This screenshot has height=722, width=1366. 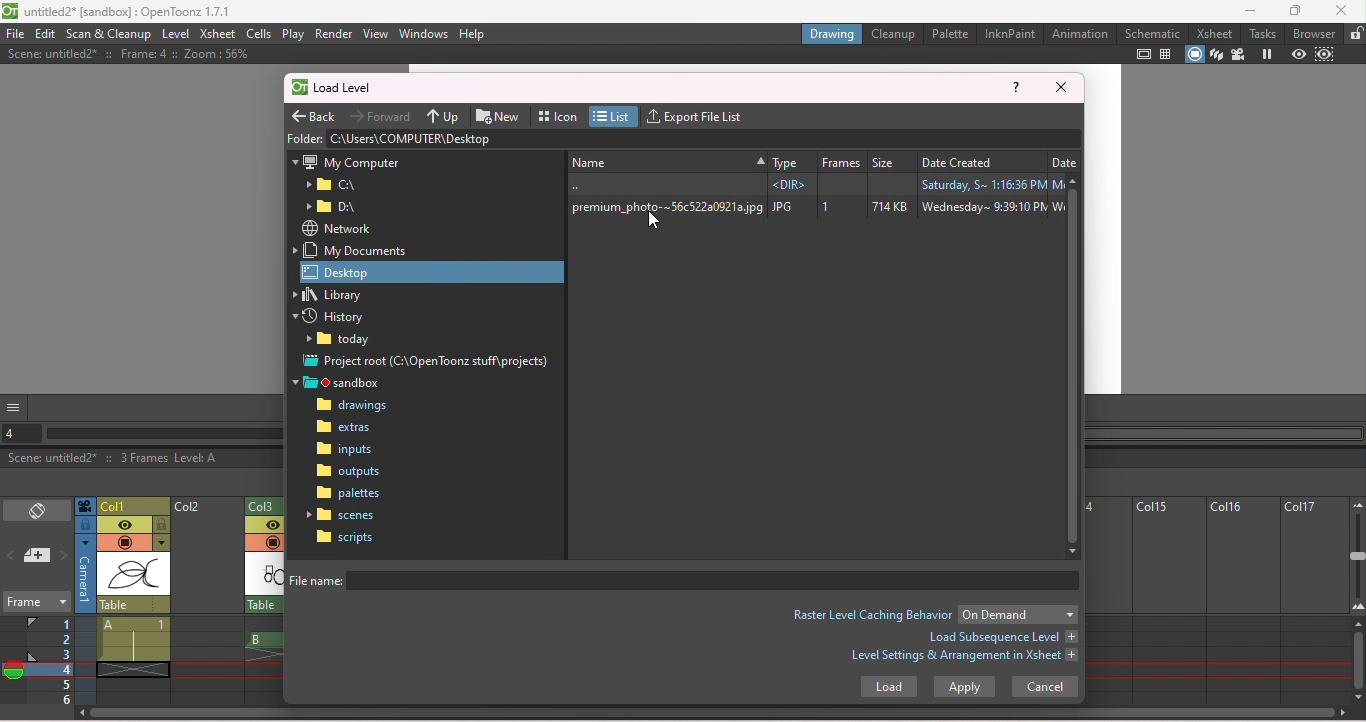 What do you see at coordinates (293, 34) in the screenshot?
I see `Play` at bounding box center [293, 34].